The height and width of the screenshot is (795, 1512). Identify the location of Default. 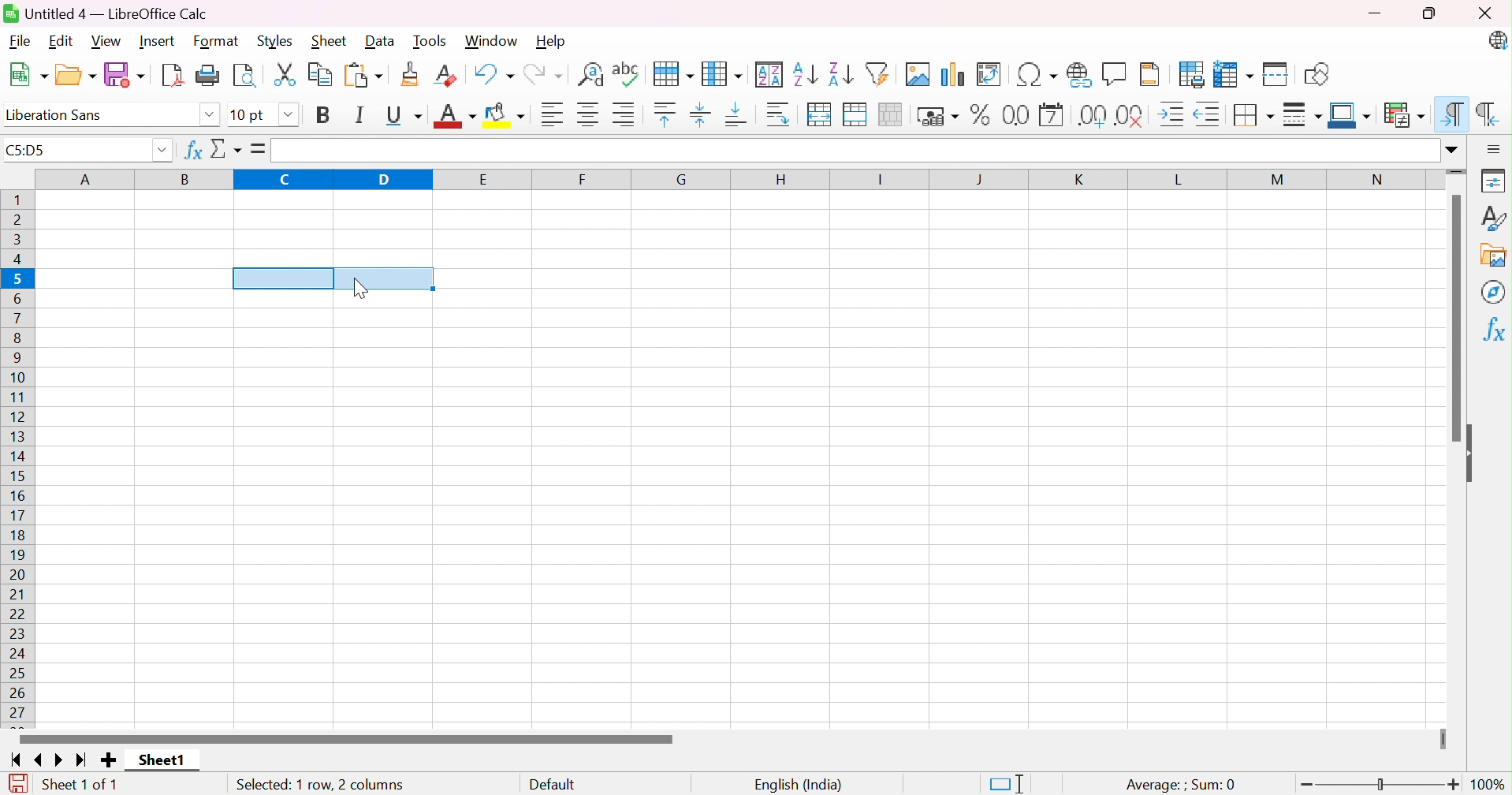
(554, 782).